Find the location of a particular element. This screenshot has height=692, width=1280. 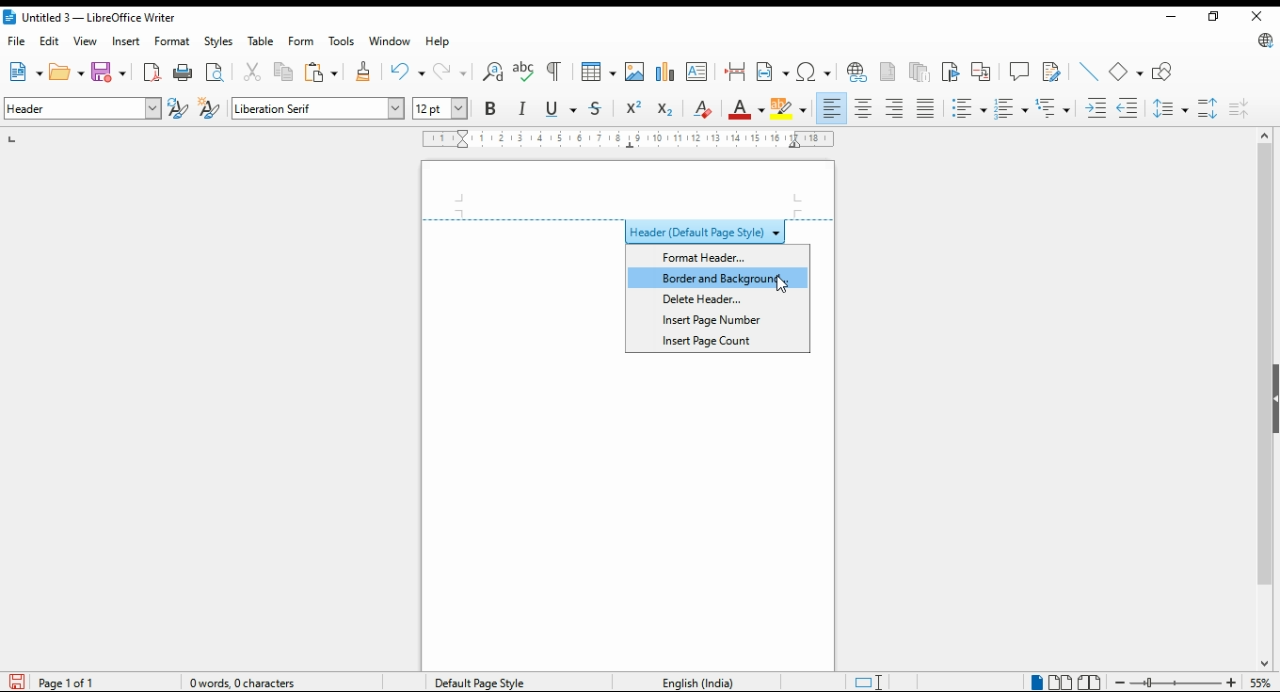

format is located at coordinates (174, 41).